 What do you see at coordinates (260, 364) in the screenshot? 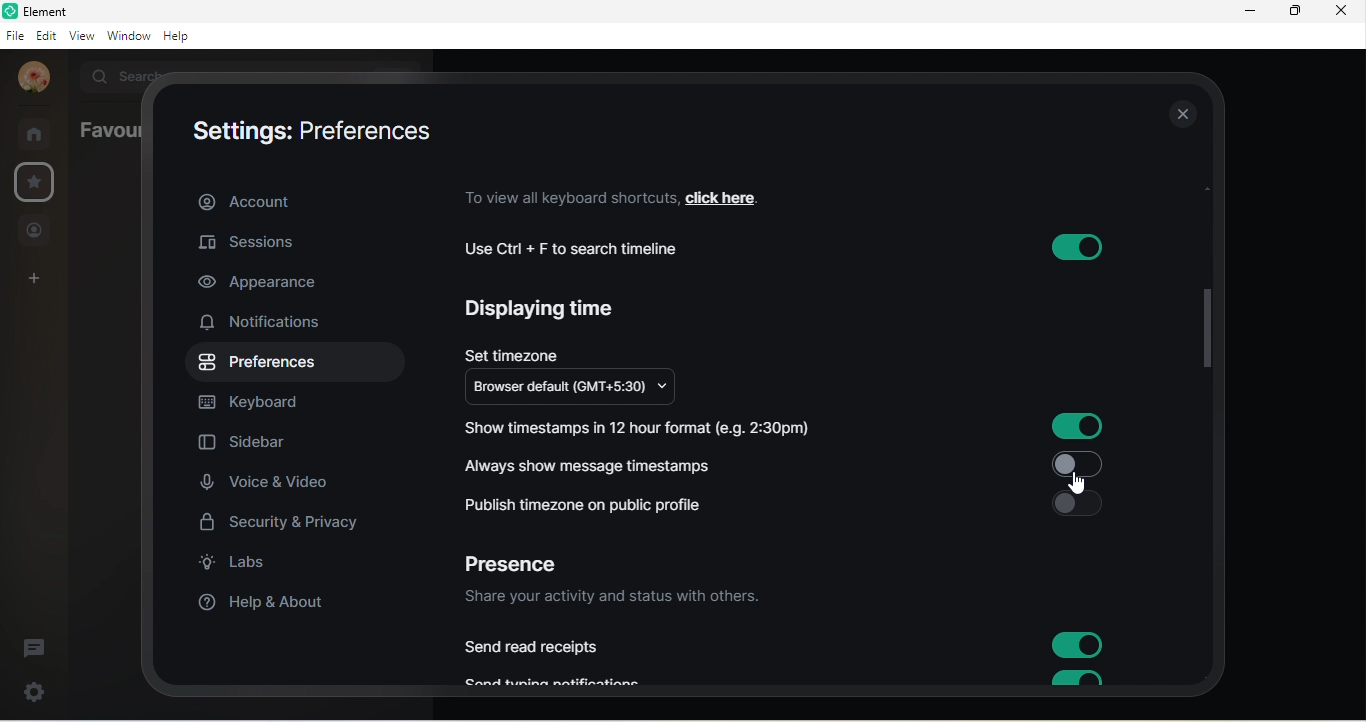
I see `preference` at bounding box center [260, 364].